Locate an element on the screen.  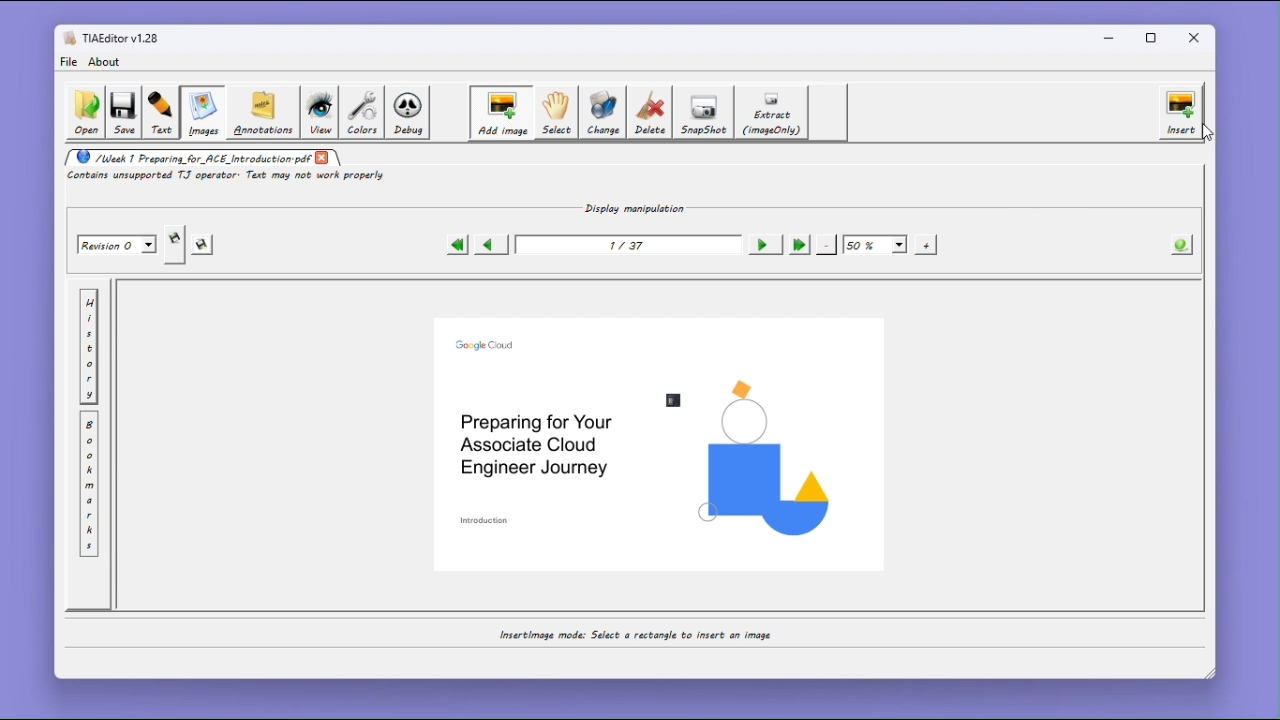
First page is located at coordinates (456, 245).